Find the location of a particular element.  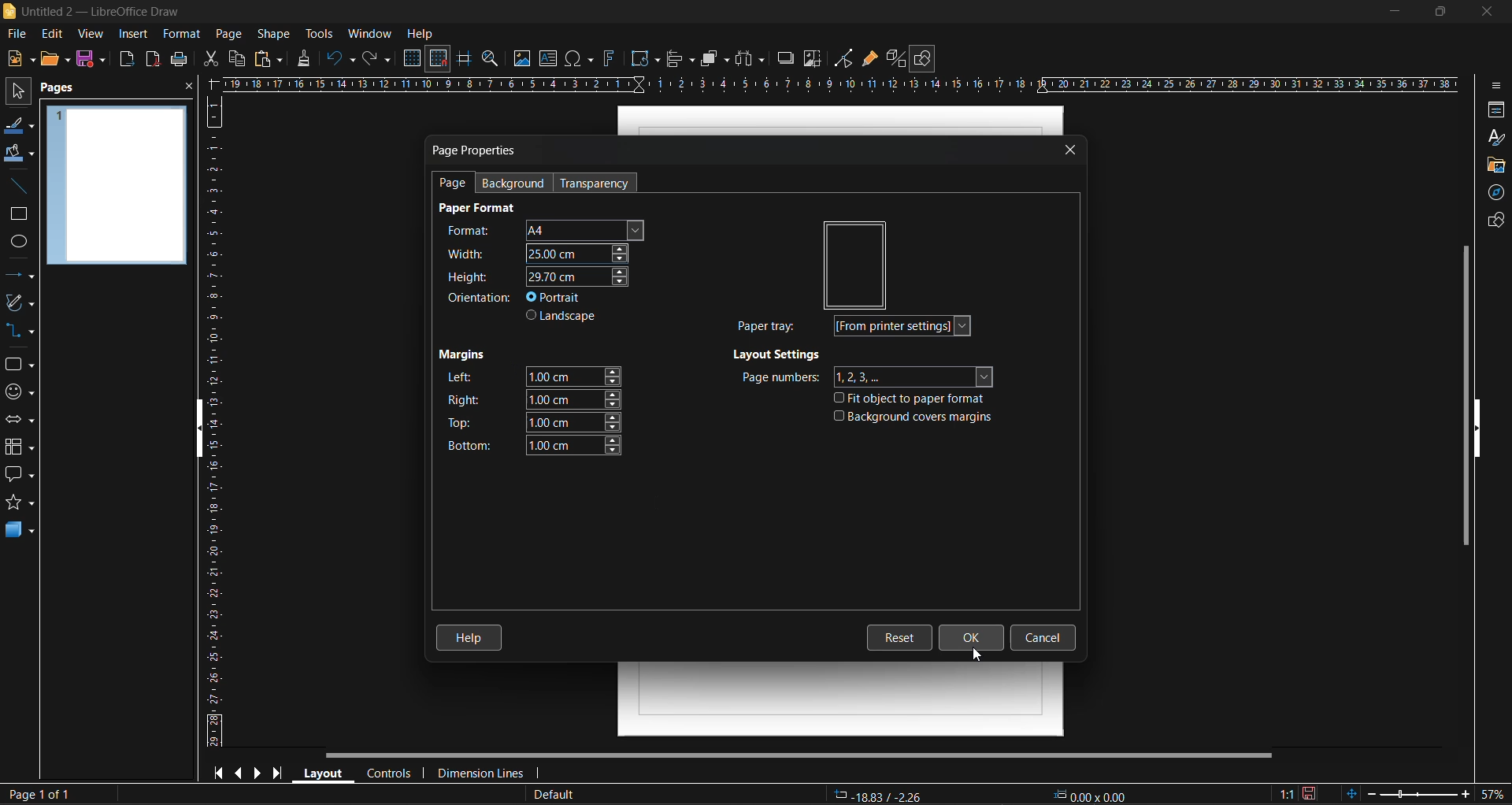

block arrows is located at coordinates (23, 420).